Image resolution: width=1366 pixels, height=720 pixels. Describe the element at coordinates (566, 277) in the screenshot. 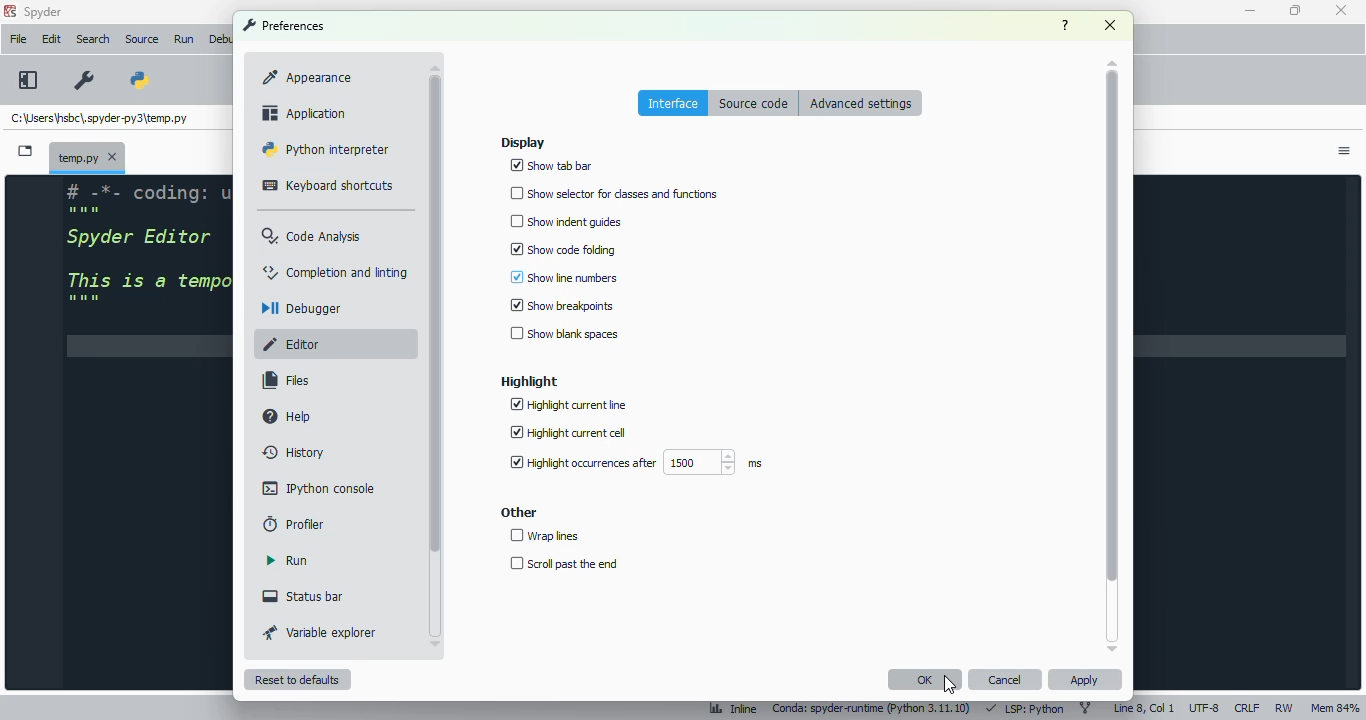

I see `show line numbers selected` at that location.